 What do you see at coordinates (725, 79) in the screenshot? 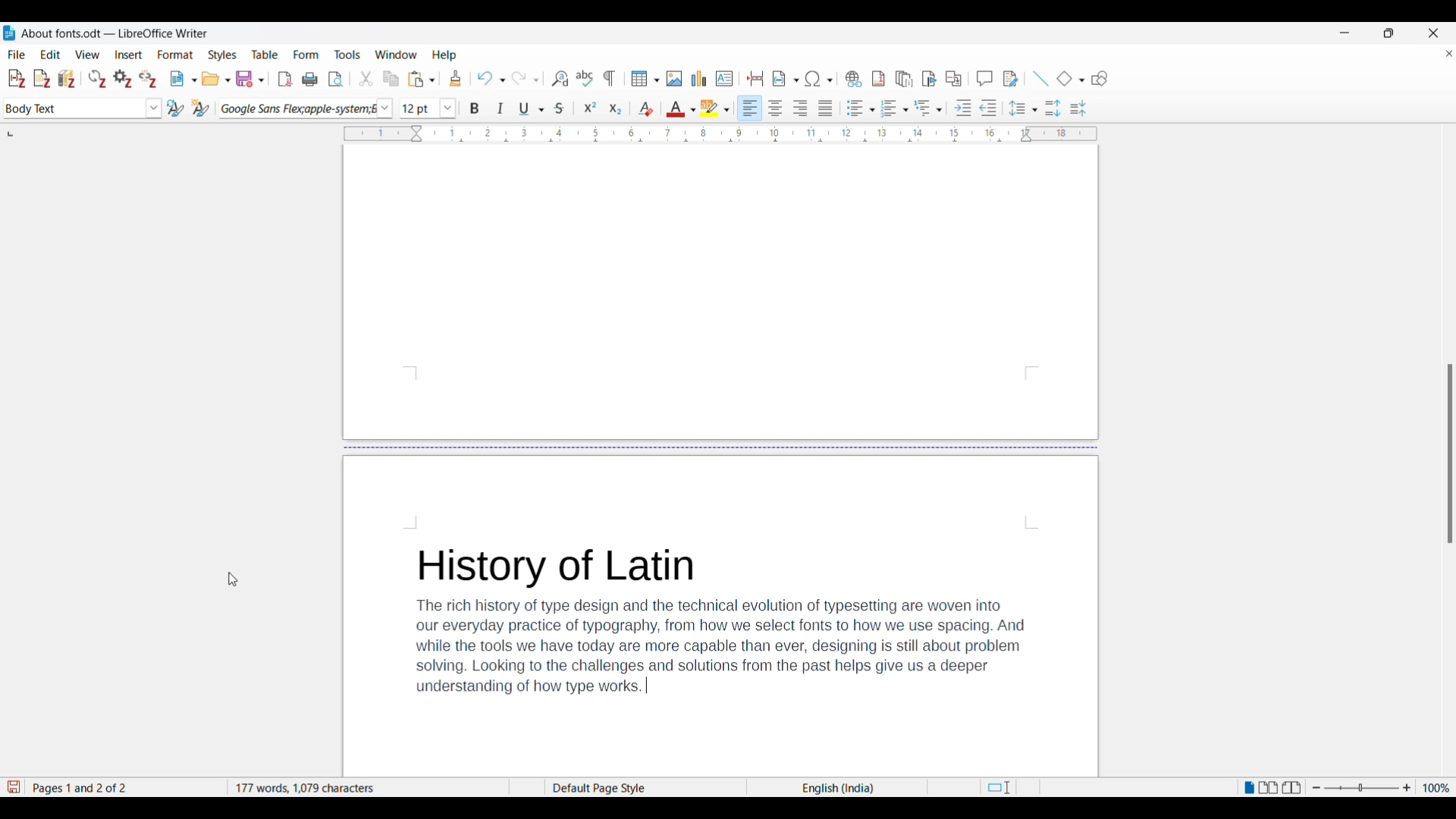
I see `Insert text box` at bounding box center [725, 79].